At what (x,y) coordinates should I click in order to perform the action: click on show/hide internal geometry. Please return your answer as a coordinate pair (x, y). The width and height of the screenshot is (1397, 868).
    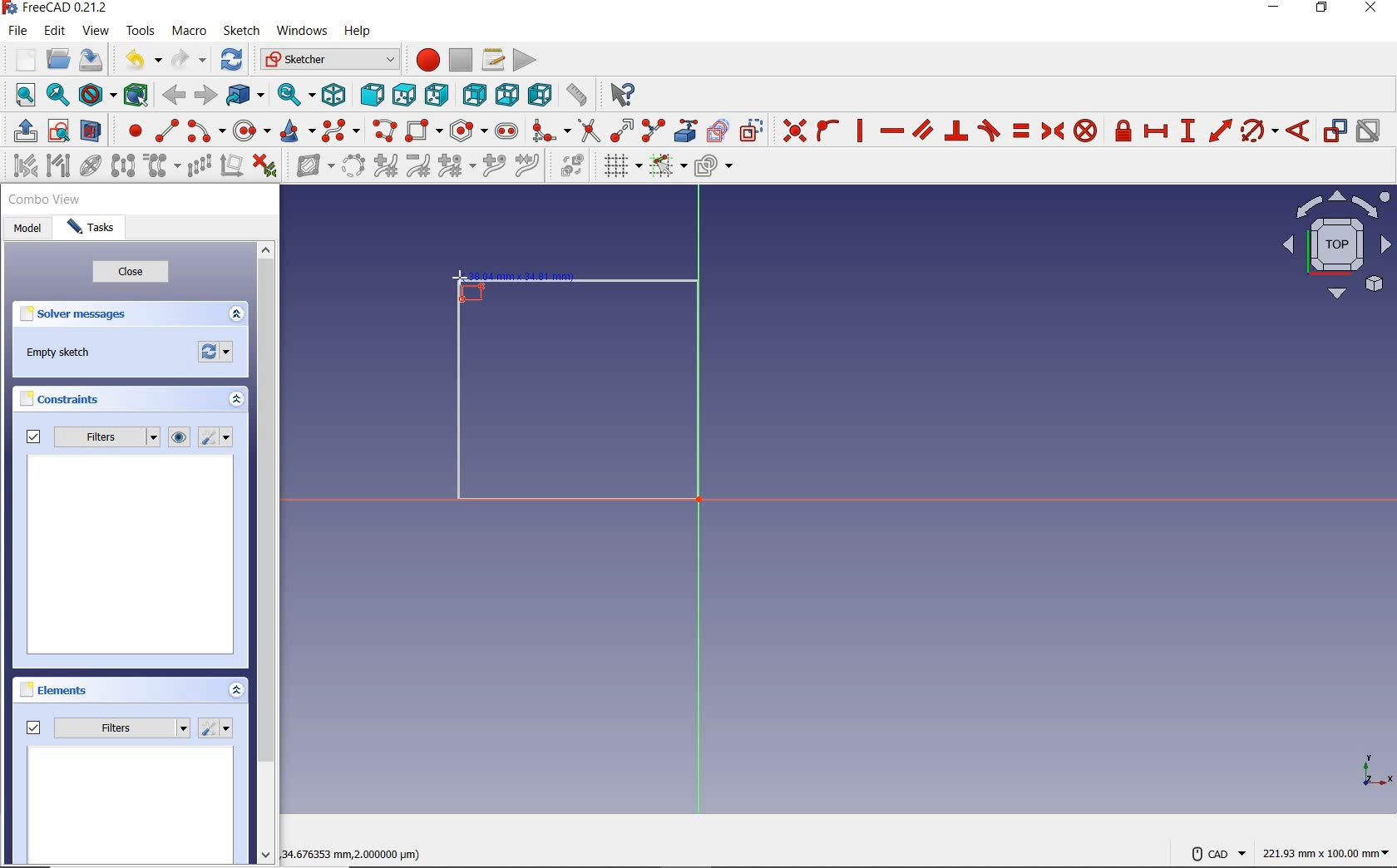
    Looking at the image, I should click on (91, 168).